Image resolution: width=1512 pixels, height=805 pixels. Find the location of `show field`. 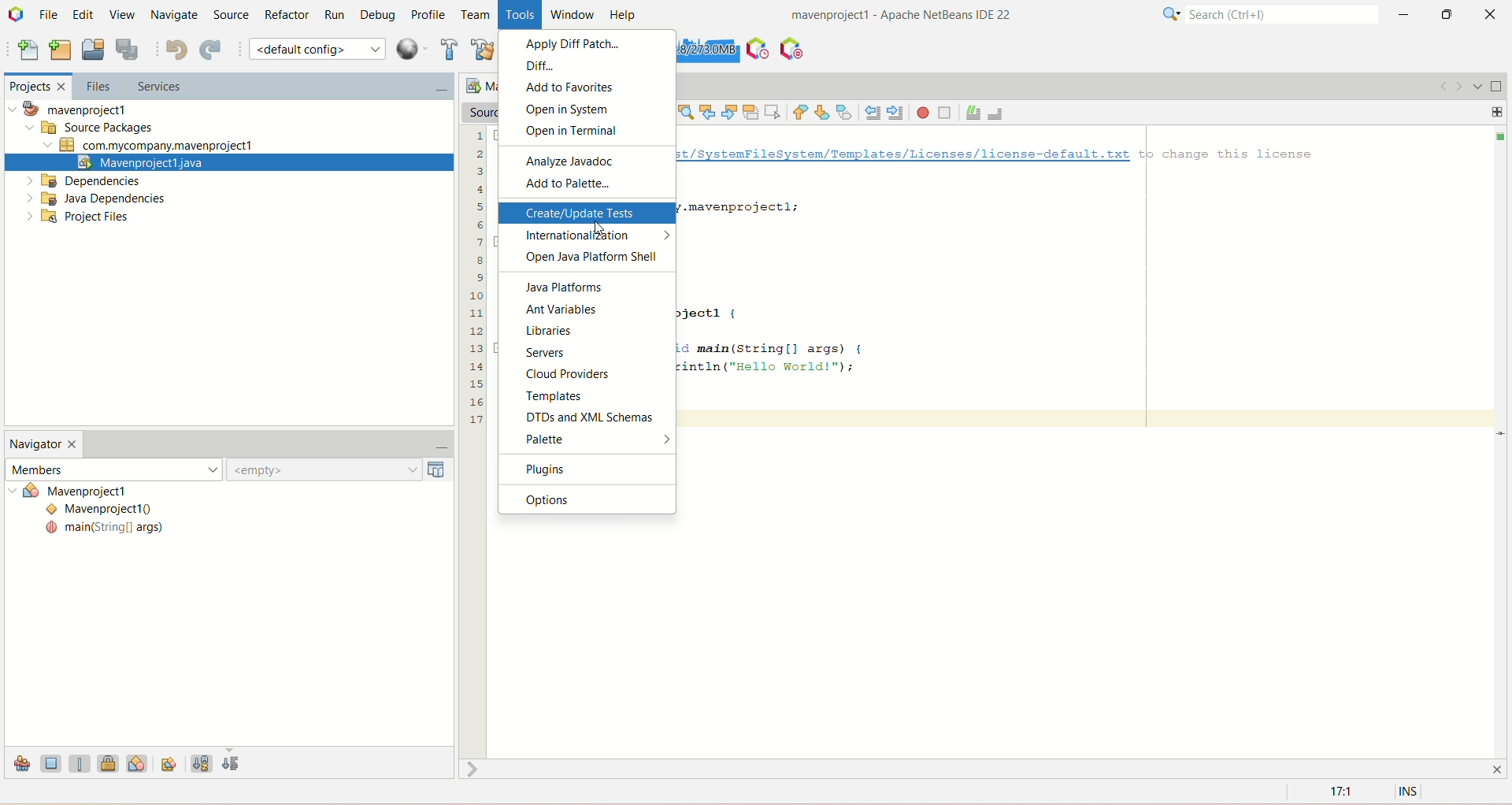

show field is located at coordinates (51, 762).